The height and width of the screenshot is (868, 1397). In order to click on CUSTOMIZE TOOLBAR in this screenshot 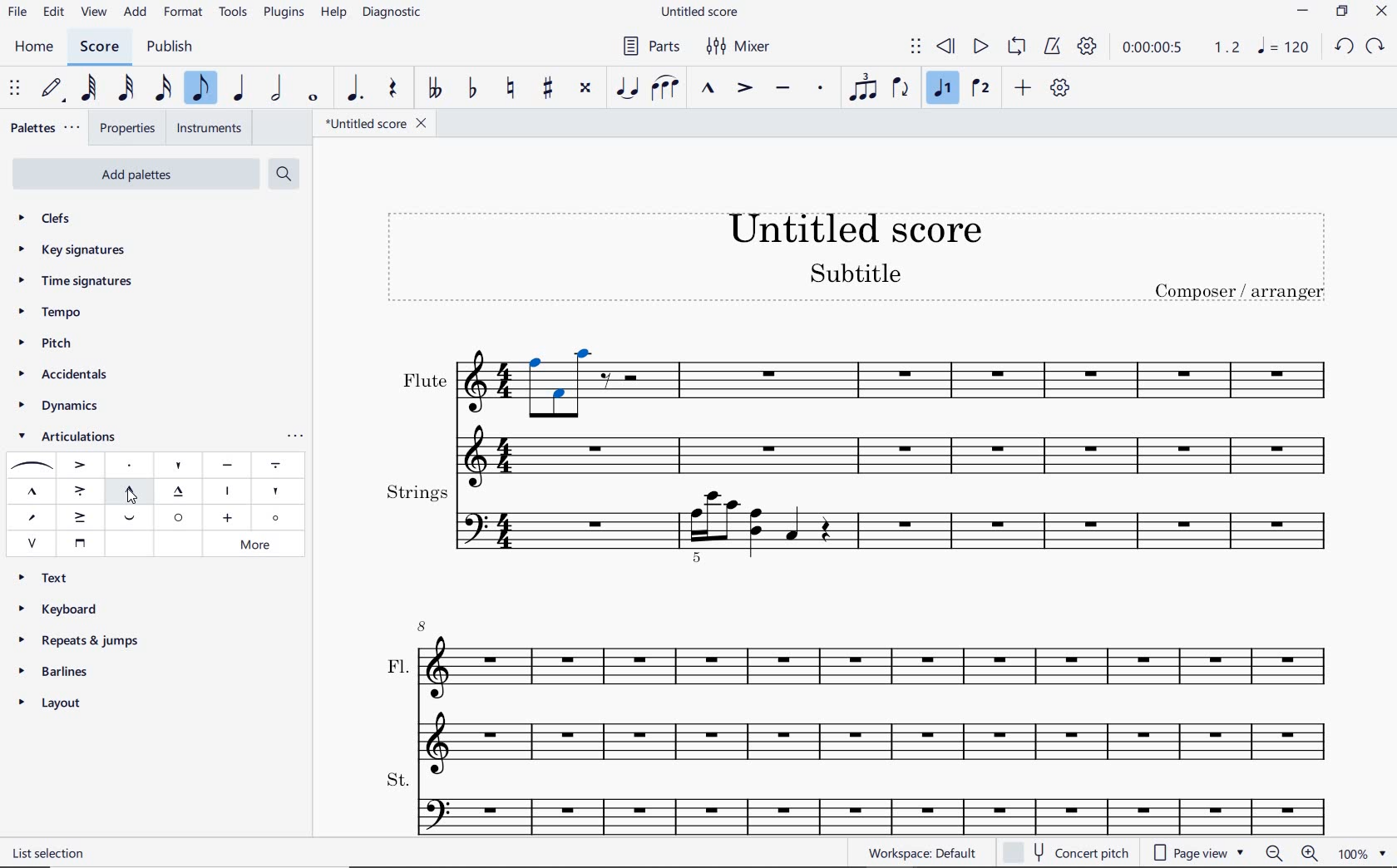, I will do `click(1063, 88)`.